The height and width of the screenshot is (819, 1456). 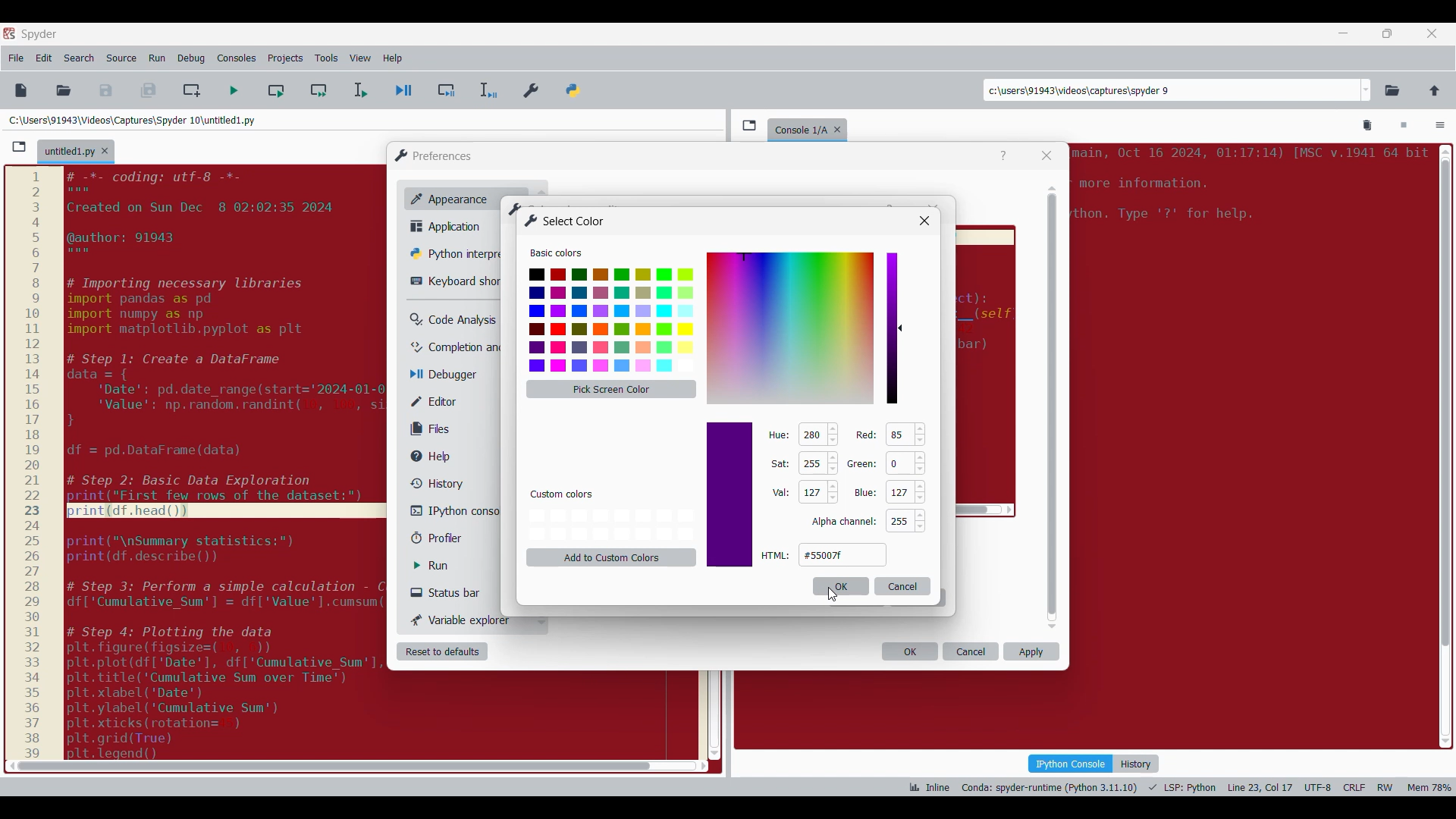 What do you see at coordinates (779, 464) in the screenshot?
I see `sat` at bounding box center [779, 464].